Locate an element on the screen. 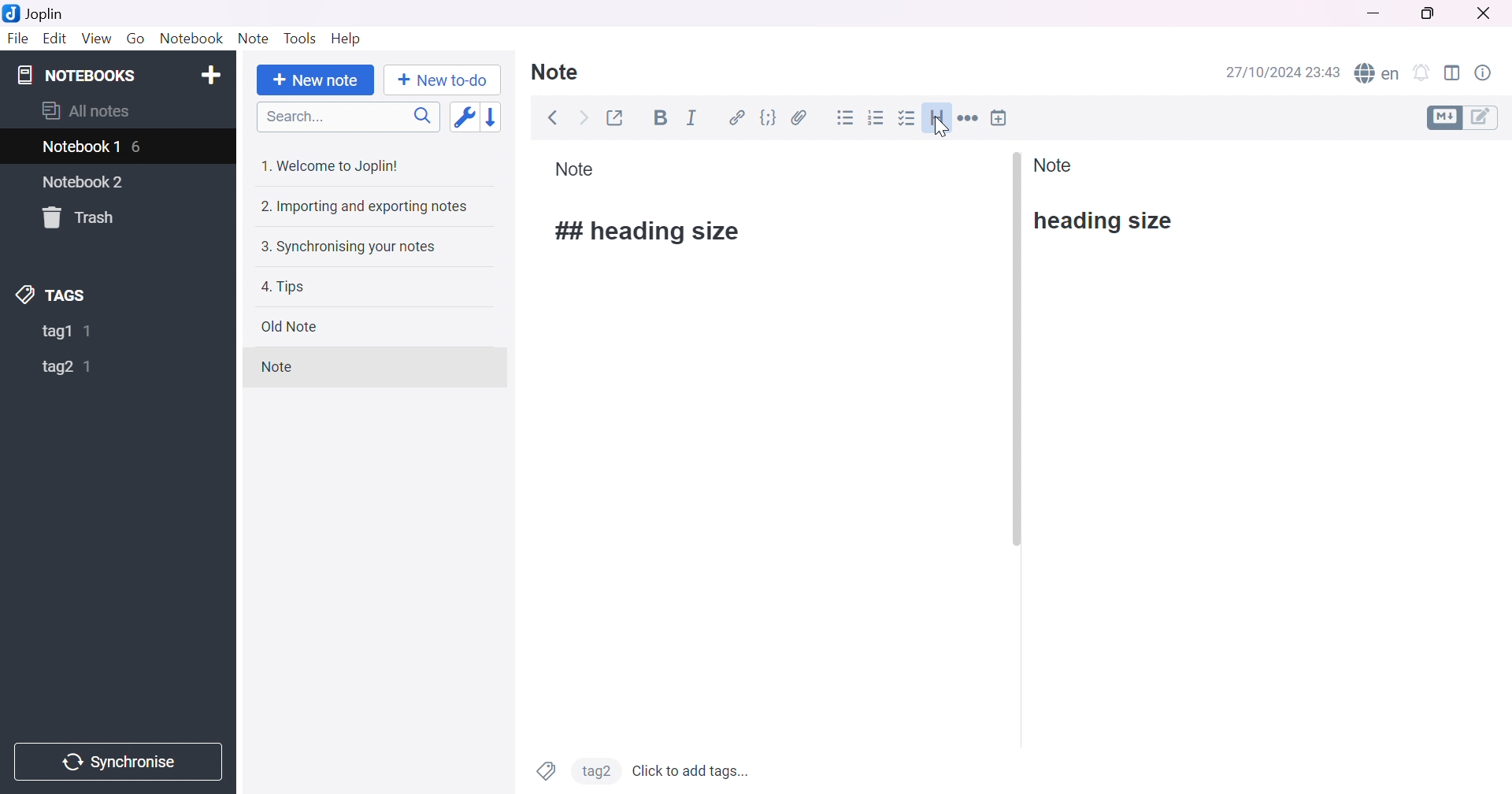 This screenshot has height=794, width=1512. Tools is located at coordinates (302, 38).